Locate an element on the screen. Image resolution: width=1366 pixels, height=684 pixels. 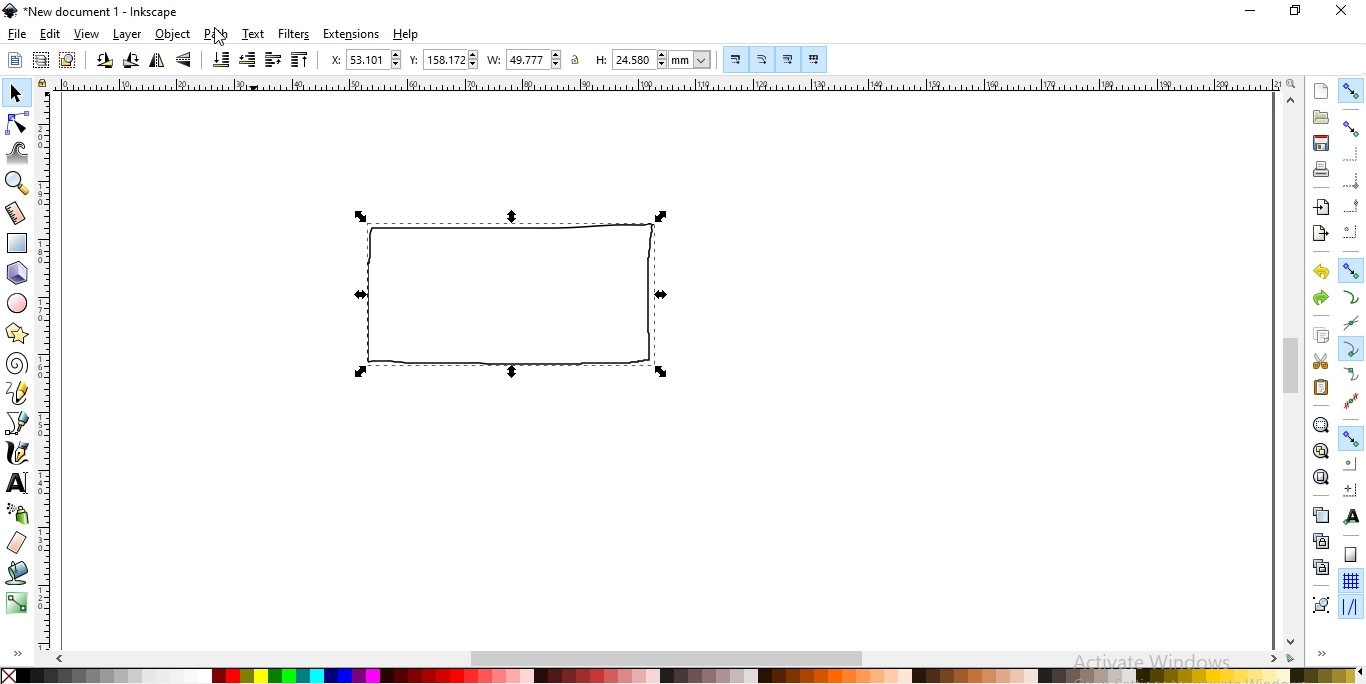
flip selected objects vertically is located at coordinates (185, 60).